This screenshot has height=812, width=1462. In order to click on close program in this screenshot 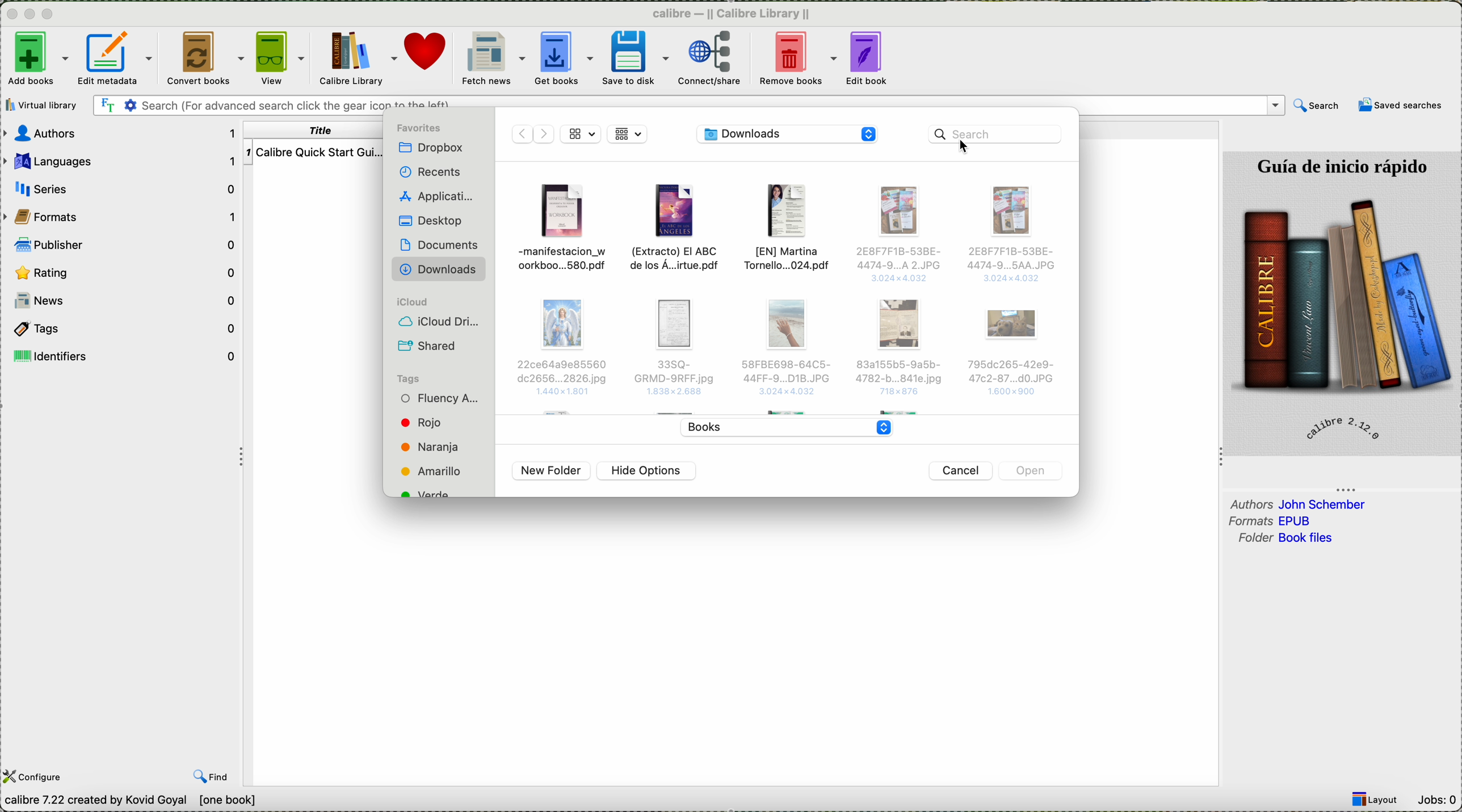, I will do `click(11, 14)`.